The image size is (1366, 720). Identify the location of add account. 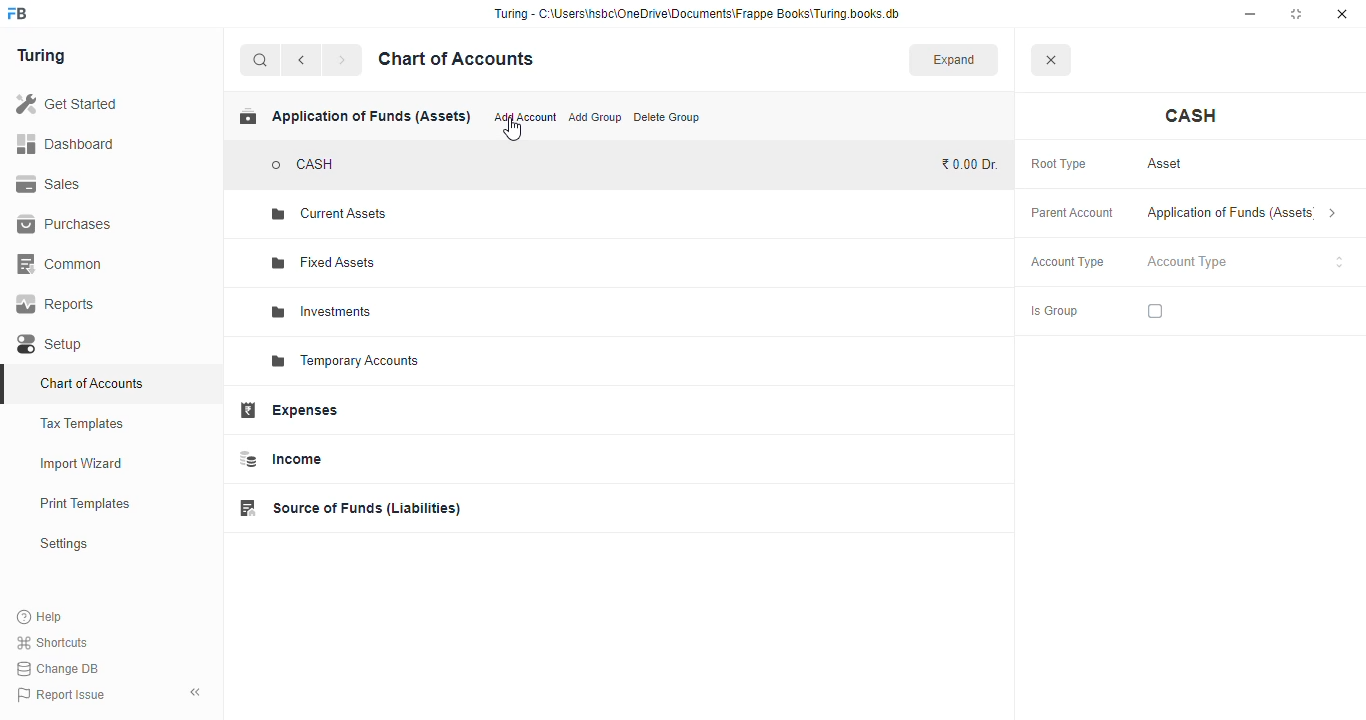
(526, 116).